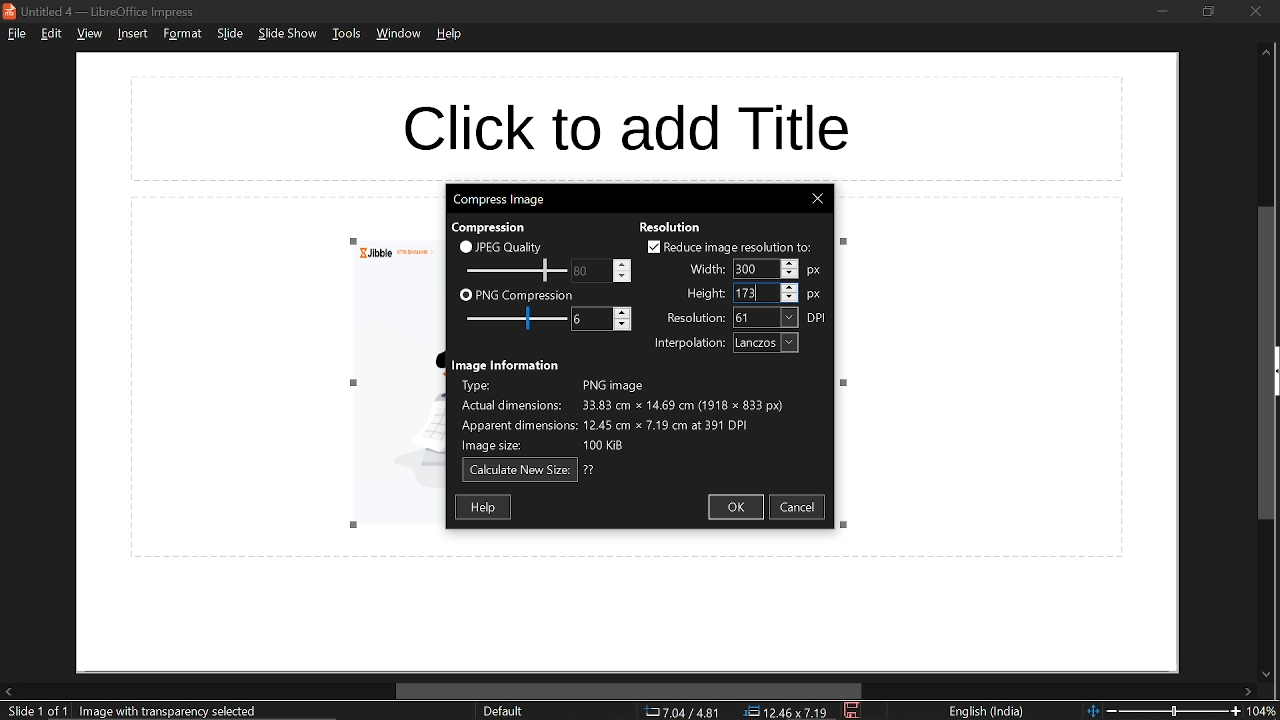 The height and width of the screenshot is (720, 1280). I want to click on Image information, so click(641, 414).